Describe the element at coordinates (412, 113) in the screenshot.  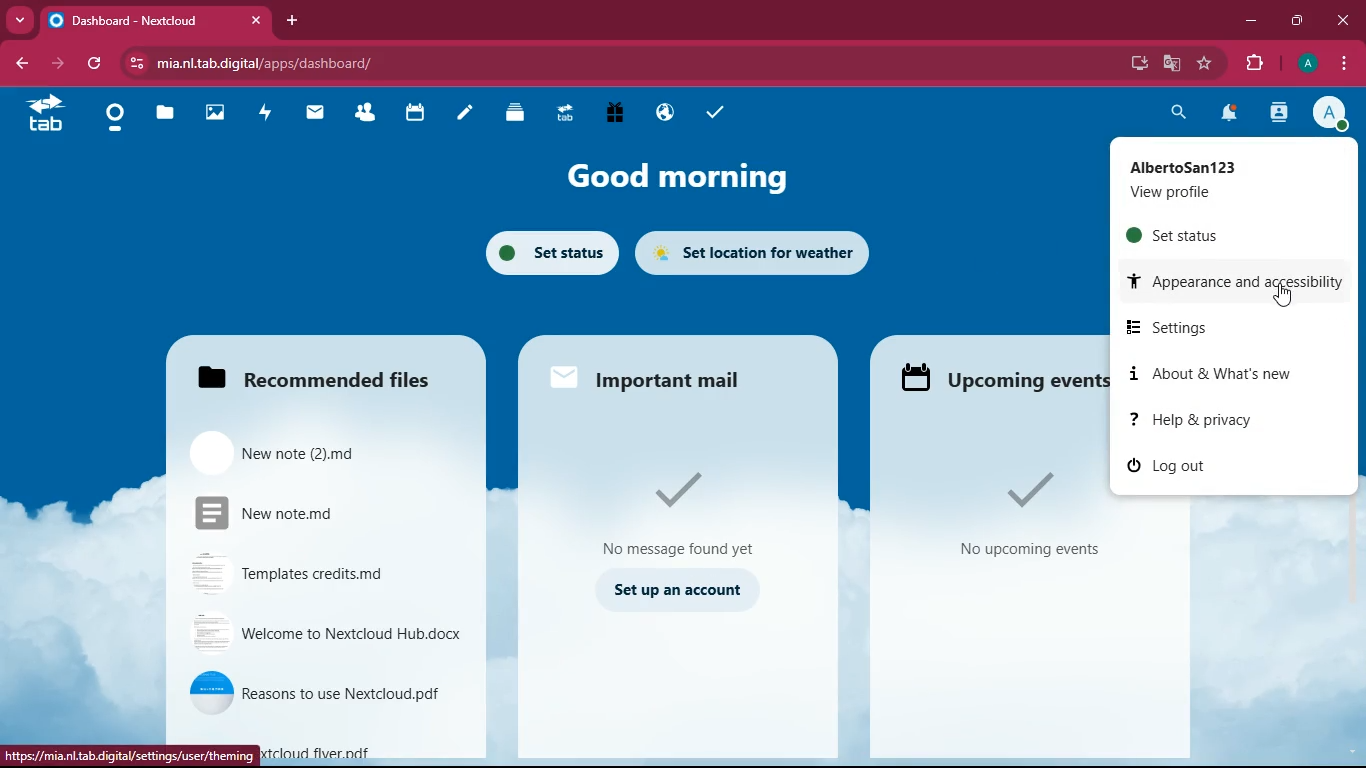
I see `calendar` at that location.